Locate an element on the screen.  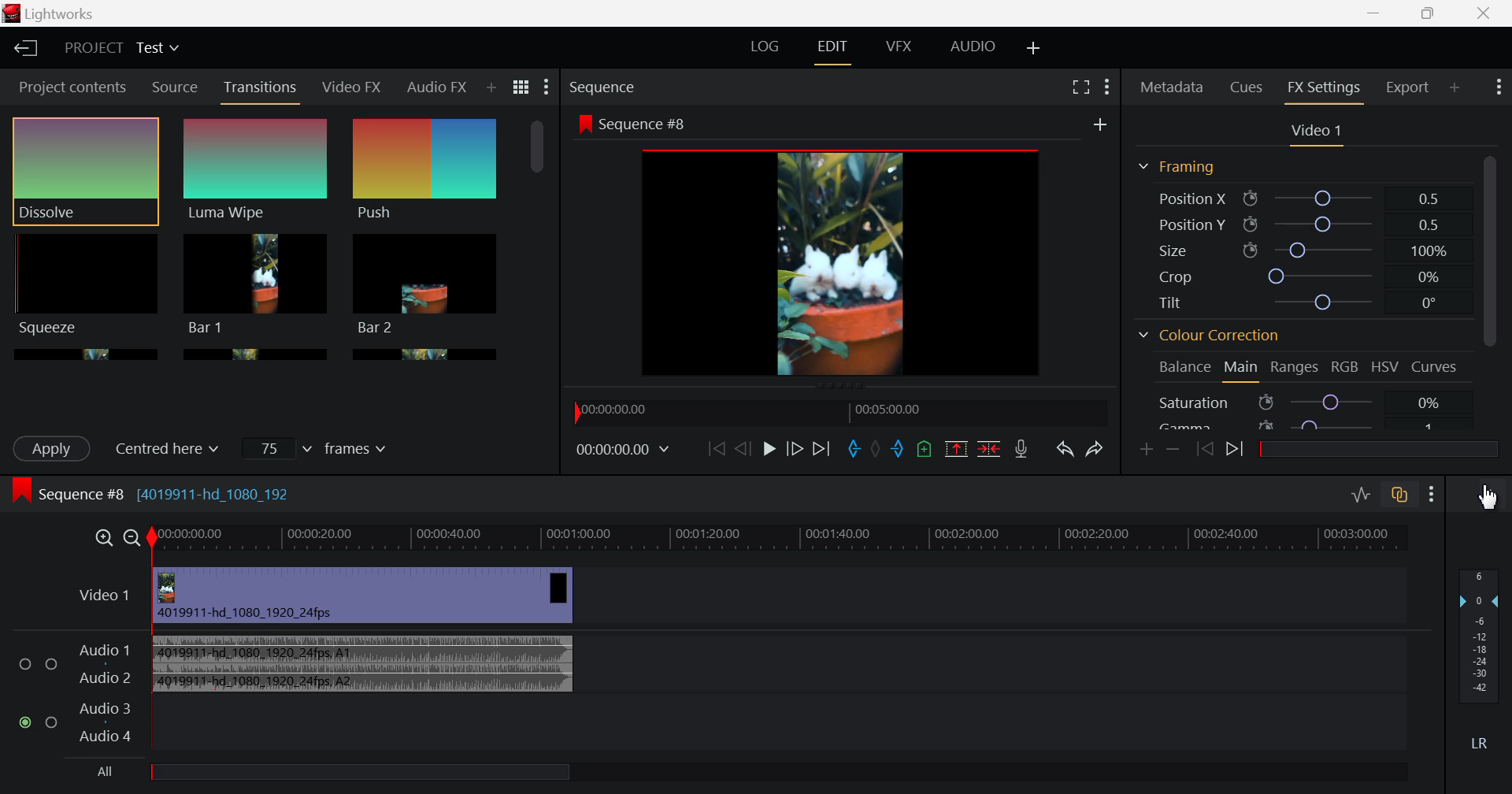
Project Title is located at coordinates (124, 48).